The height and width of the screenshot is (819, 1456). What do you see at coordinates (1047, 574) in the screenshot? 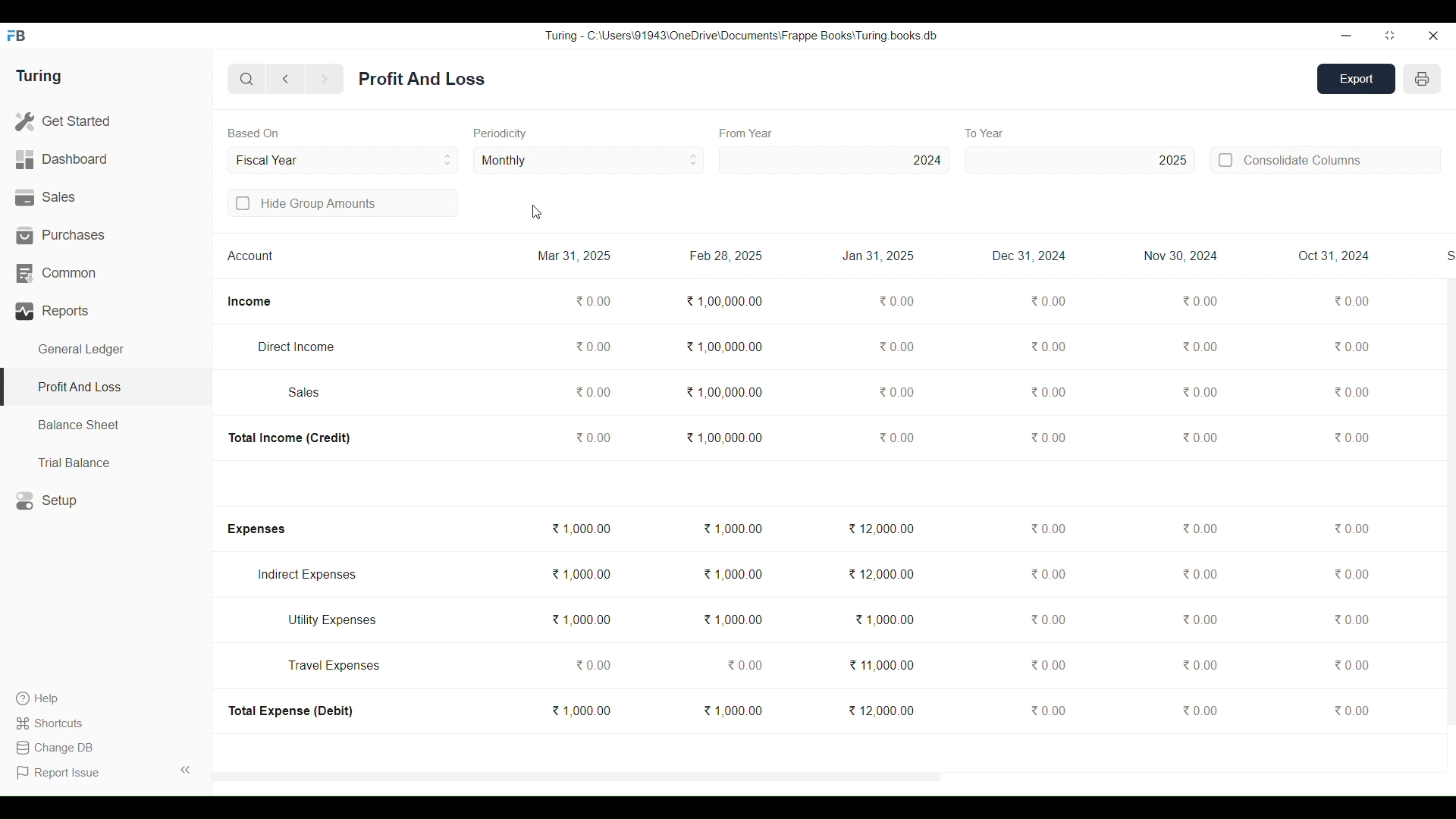
I see `0.00` at bounding box center [1047, 574].